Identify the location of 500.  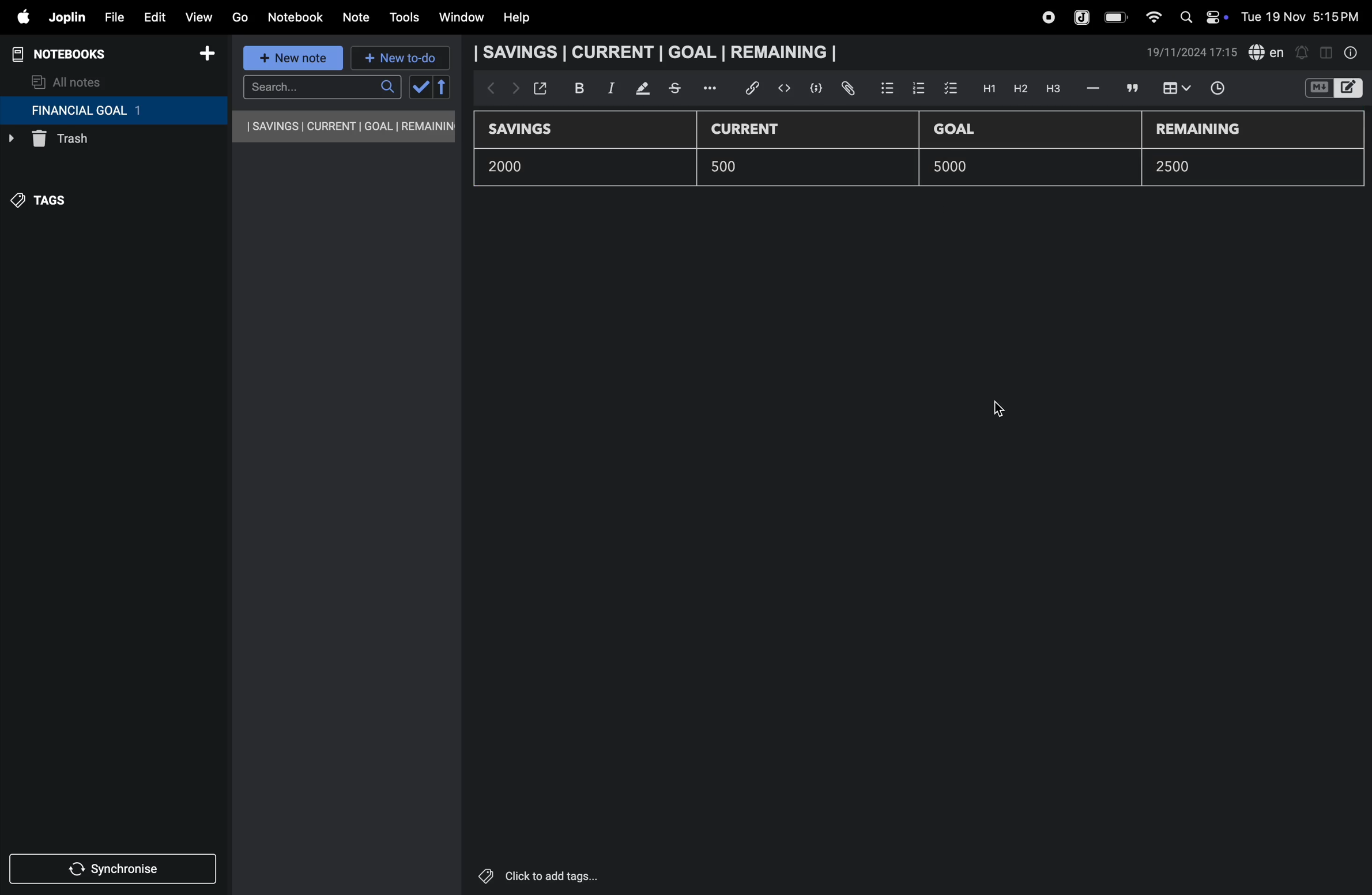
(947, 167).